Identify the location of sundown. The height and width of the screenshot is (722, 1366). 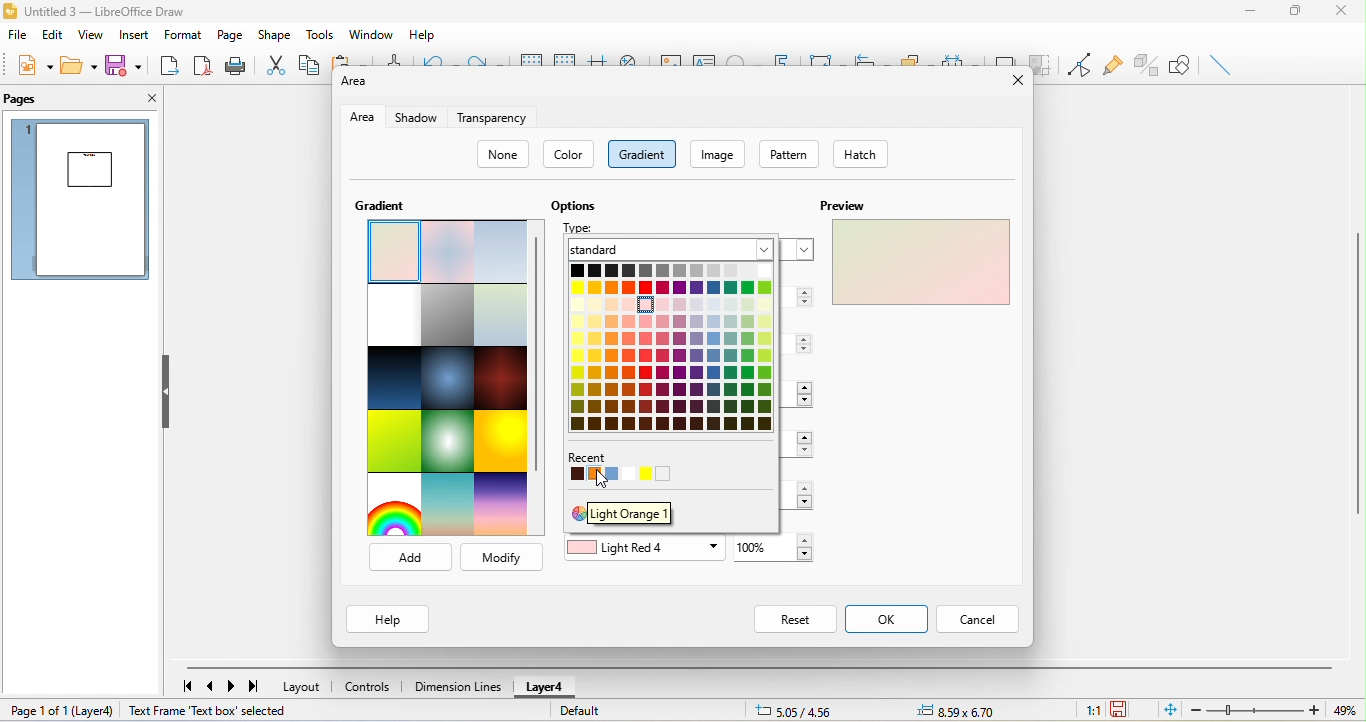
(503, 504).